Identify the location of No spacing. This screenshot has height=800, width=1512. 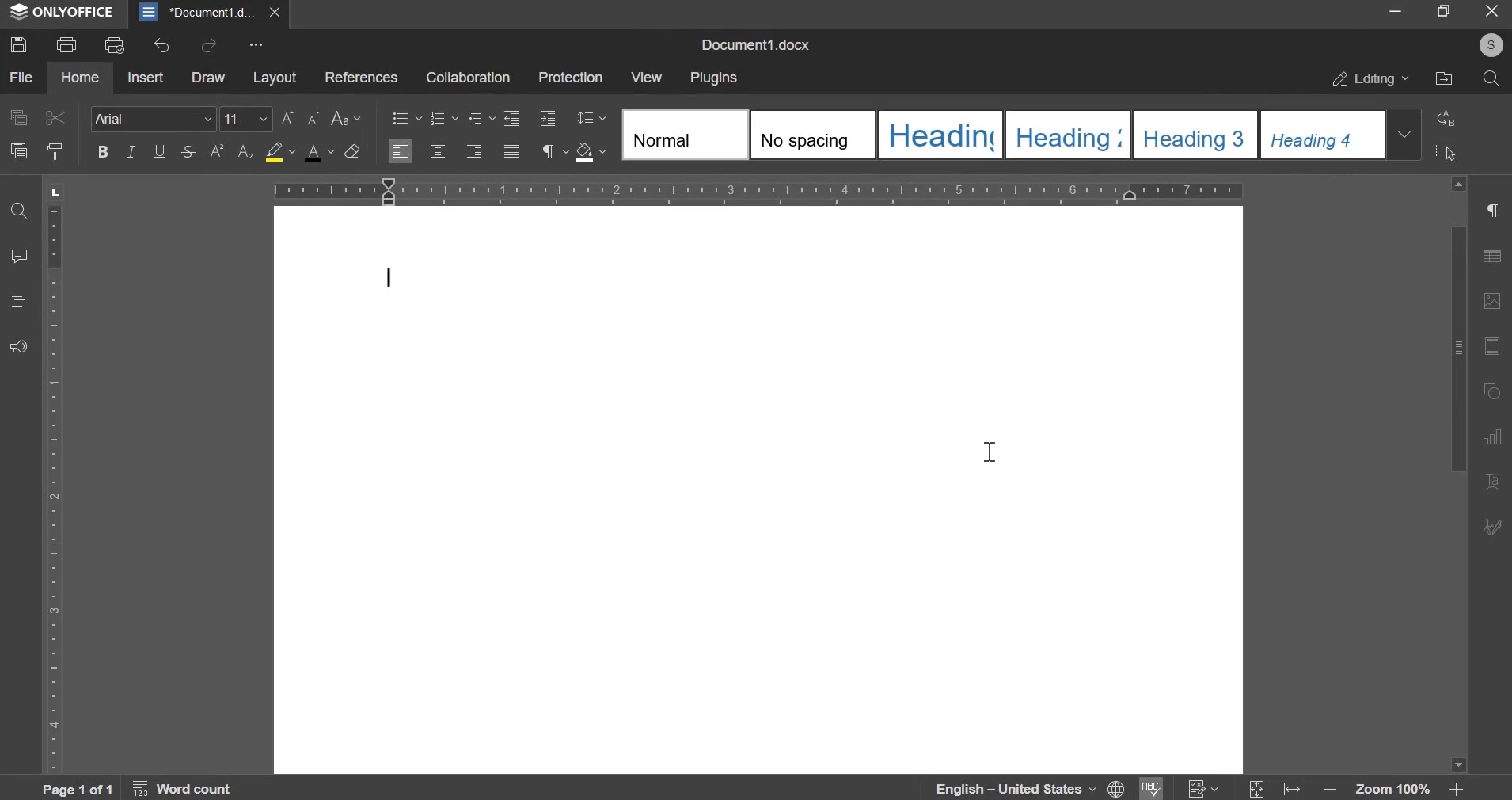
(811, 135).